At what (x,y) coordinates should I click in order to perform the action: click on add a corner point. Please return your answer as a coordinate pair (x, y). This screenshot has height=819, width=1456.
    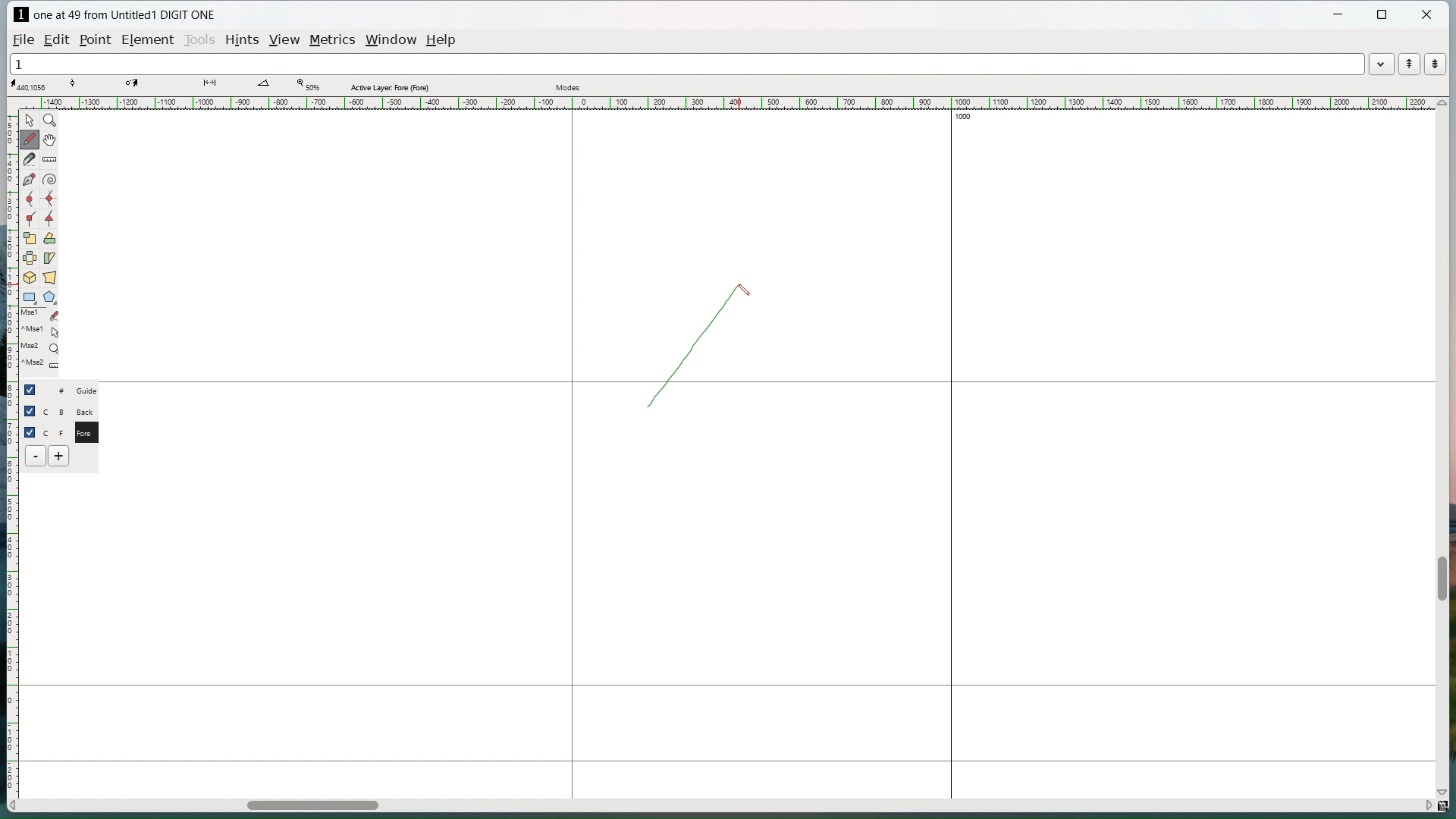
    Looking at the image, I should click on (30, 218).